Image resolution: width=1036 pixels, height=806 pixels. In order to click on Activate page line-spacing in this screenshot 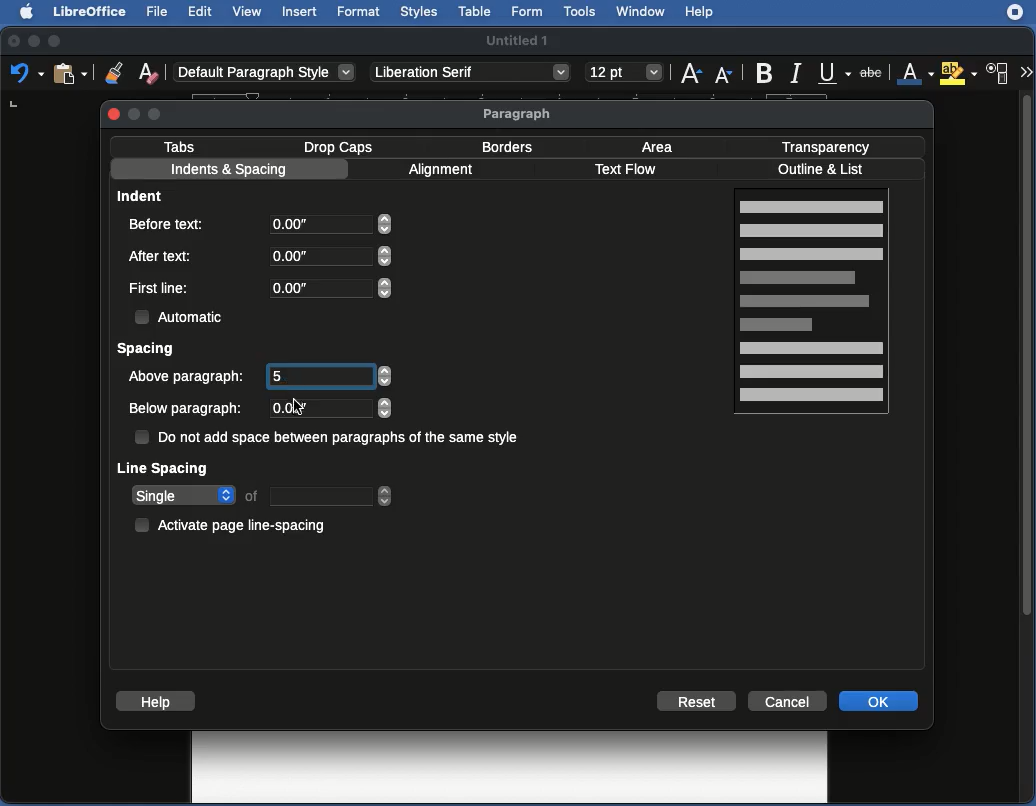, I will do `click(234, 522)`.